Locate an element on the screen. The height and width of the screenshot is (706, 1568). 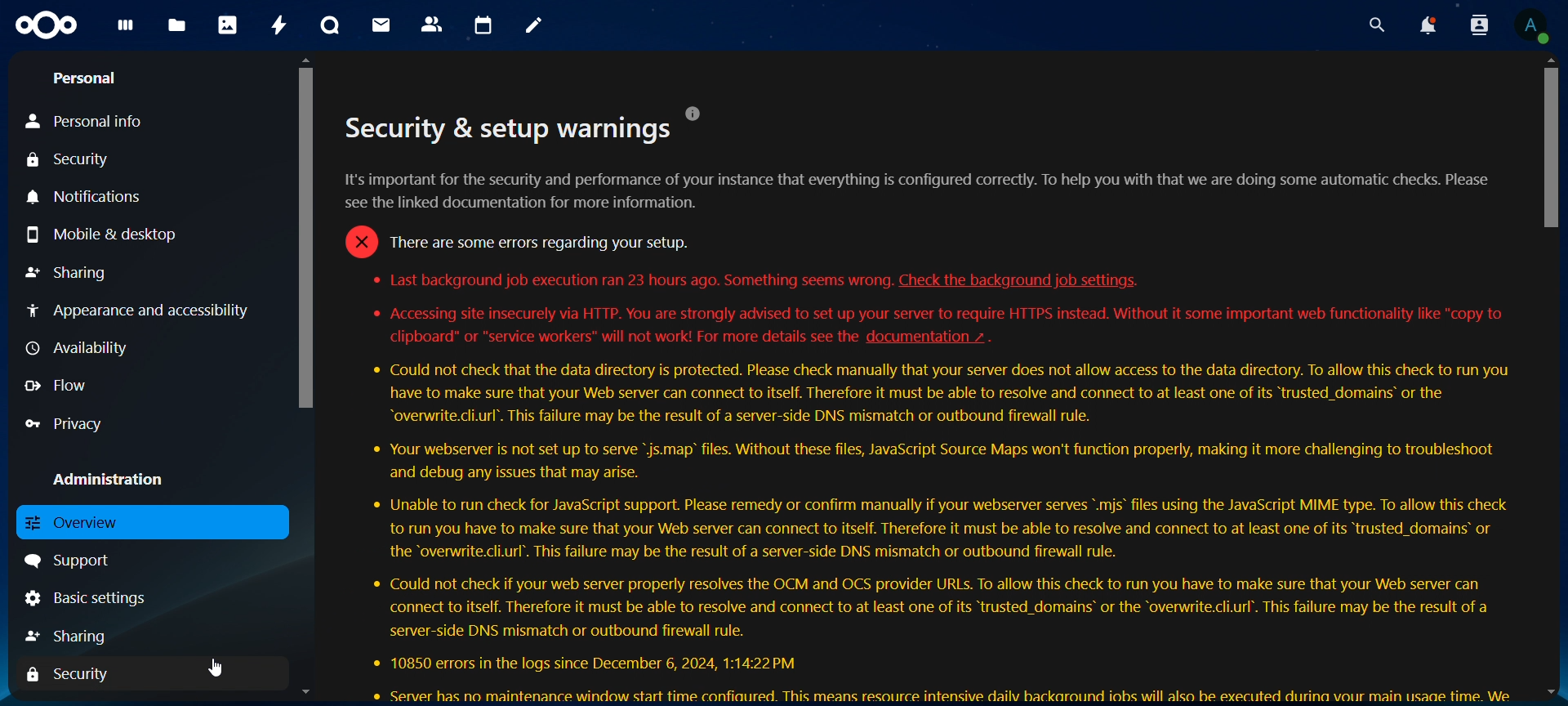
appearance and accessibilty is located at coordinates (145, 311).